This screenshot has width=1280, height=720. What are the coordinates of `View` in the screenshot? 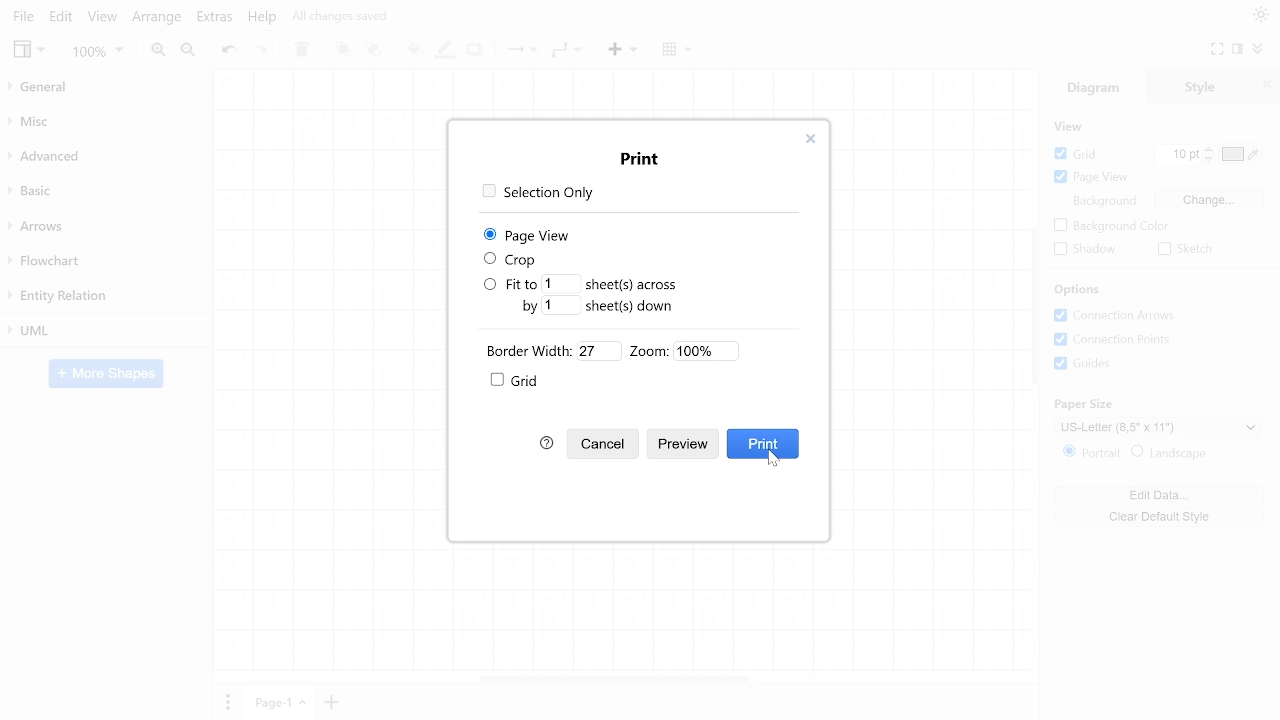 It's located at (31, 51).